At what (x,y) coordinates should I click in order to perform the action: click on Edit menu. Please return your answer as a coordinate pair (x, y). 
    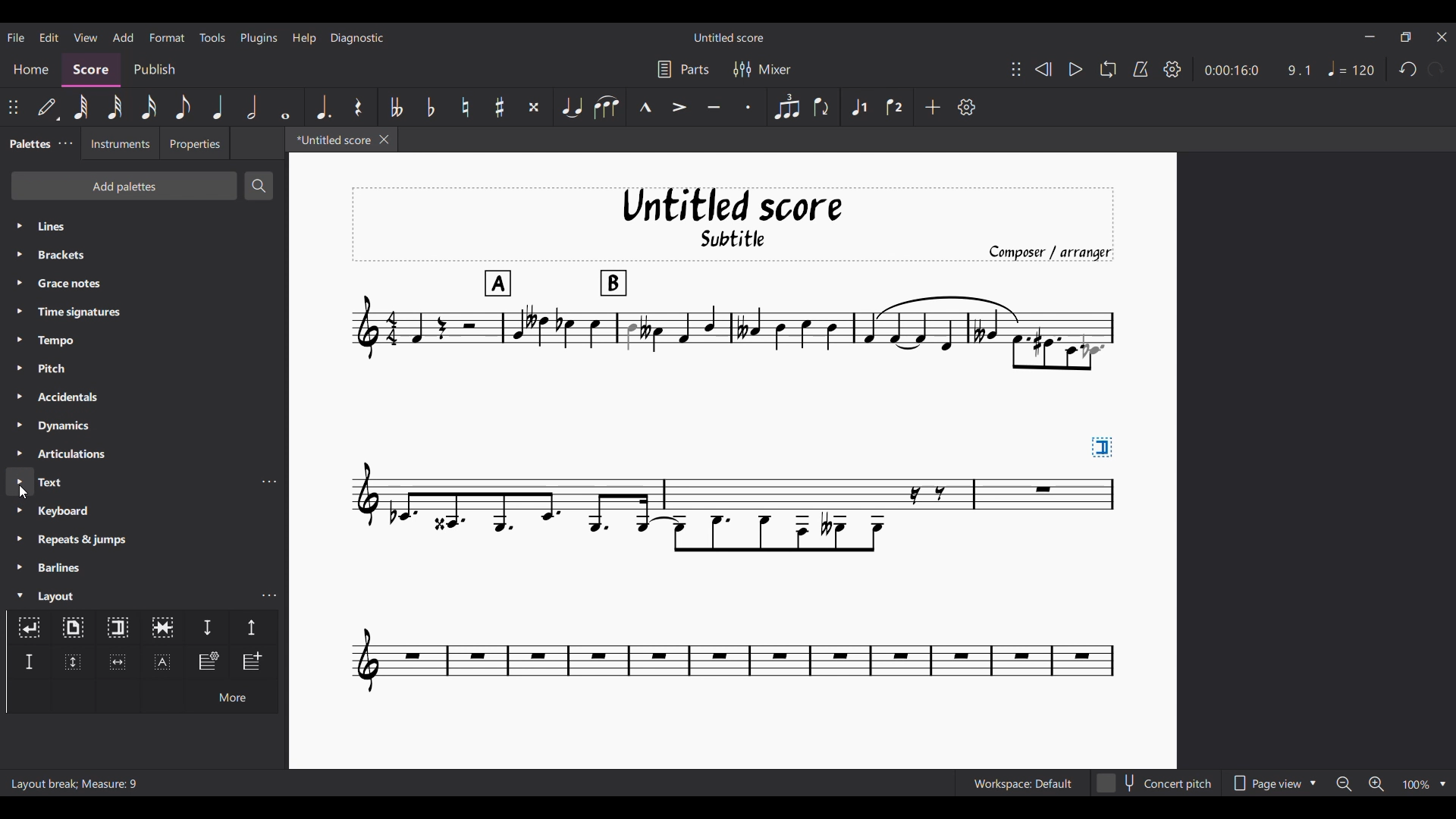
    Looking at the image, I should click on (49, 38).